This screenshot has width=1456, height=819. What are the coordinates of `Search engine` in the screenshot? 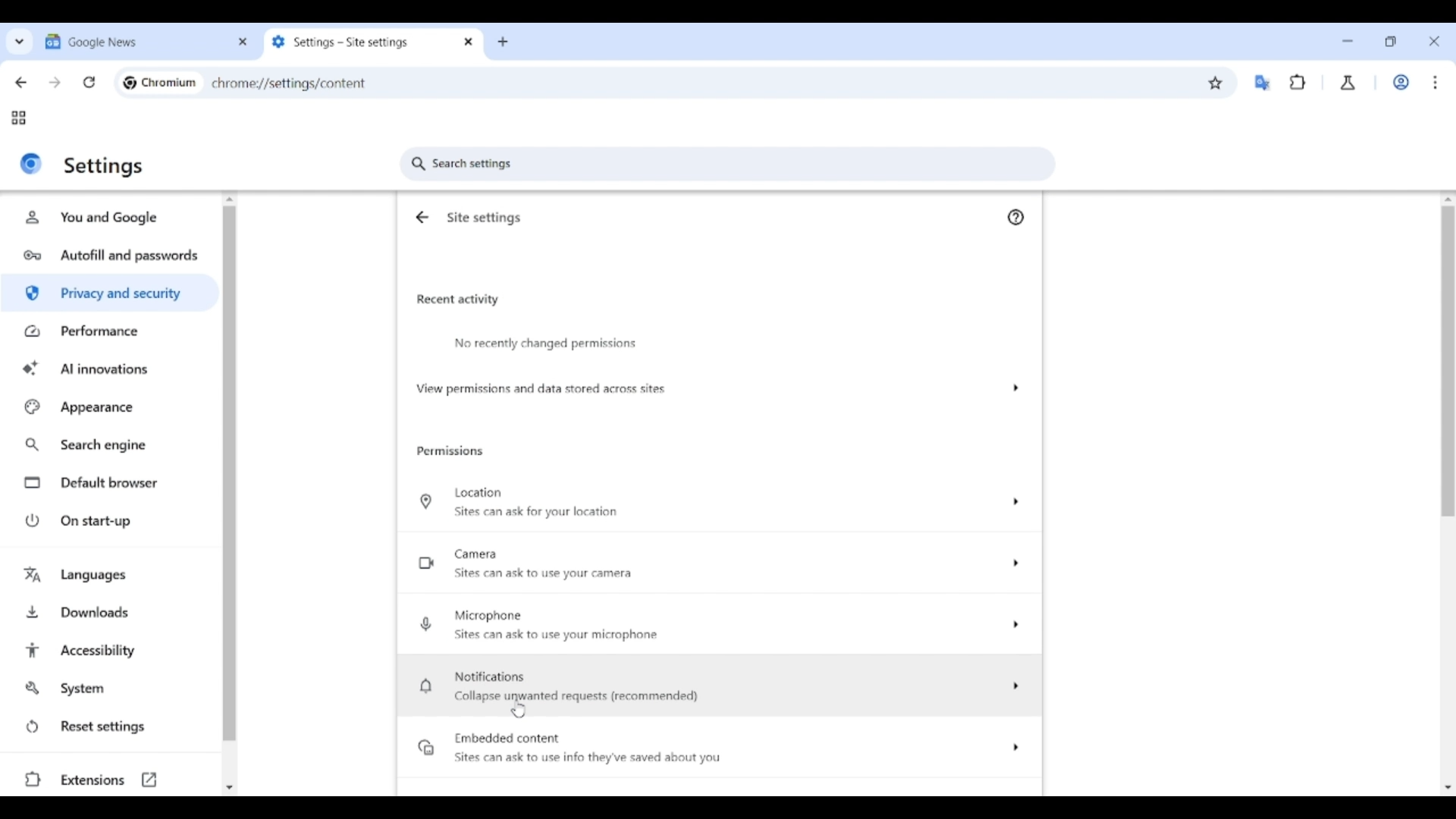 It's located at (111, 445).